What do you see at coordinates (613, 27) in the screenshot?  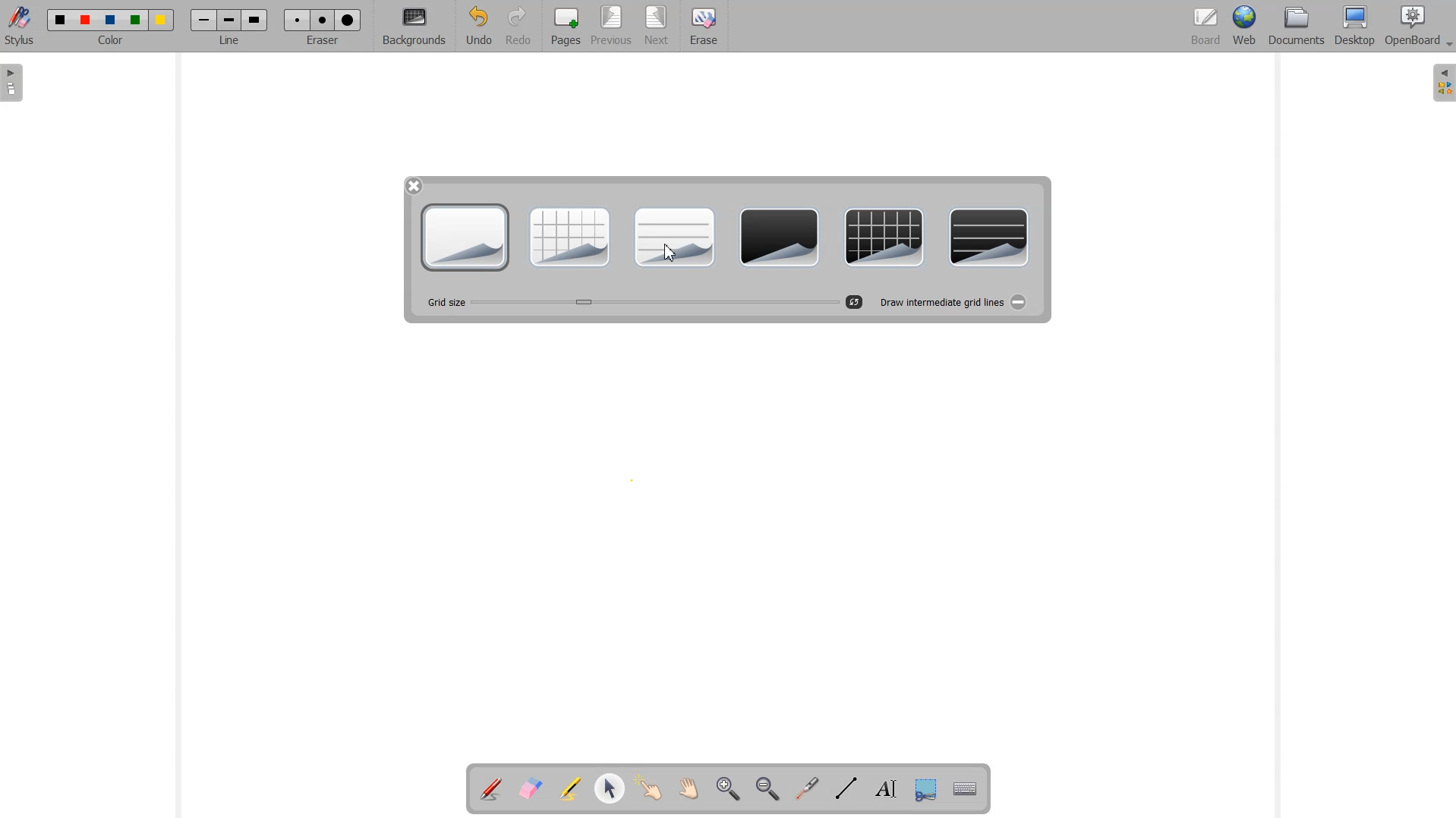 I see `Previous` at bounding box center [613, 27].